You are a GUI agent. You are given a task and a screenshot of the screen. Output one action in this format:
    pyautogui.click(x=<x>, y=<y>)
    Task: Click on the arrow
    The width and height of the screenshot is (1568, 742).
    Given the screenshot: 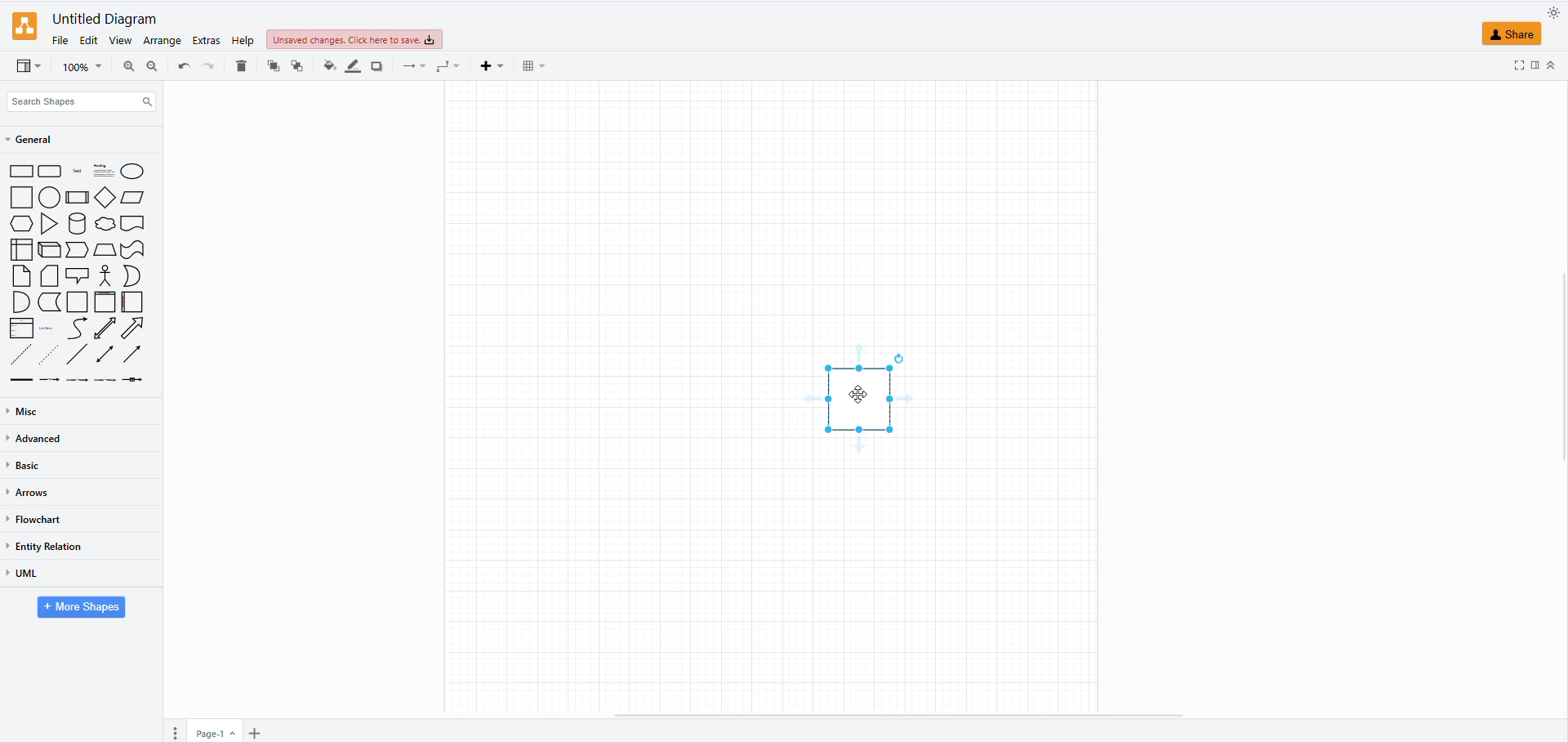 What is the action you would take?
    pyautogui.click(x=136, y=329)
    